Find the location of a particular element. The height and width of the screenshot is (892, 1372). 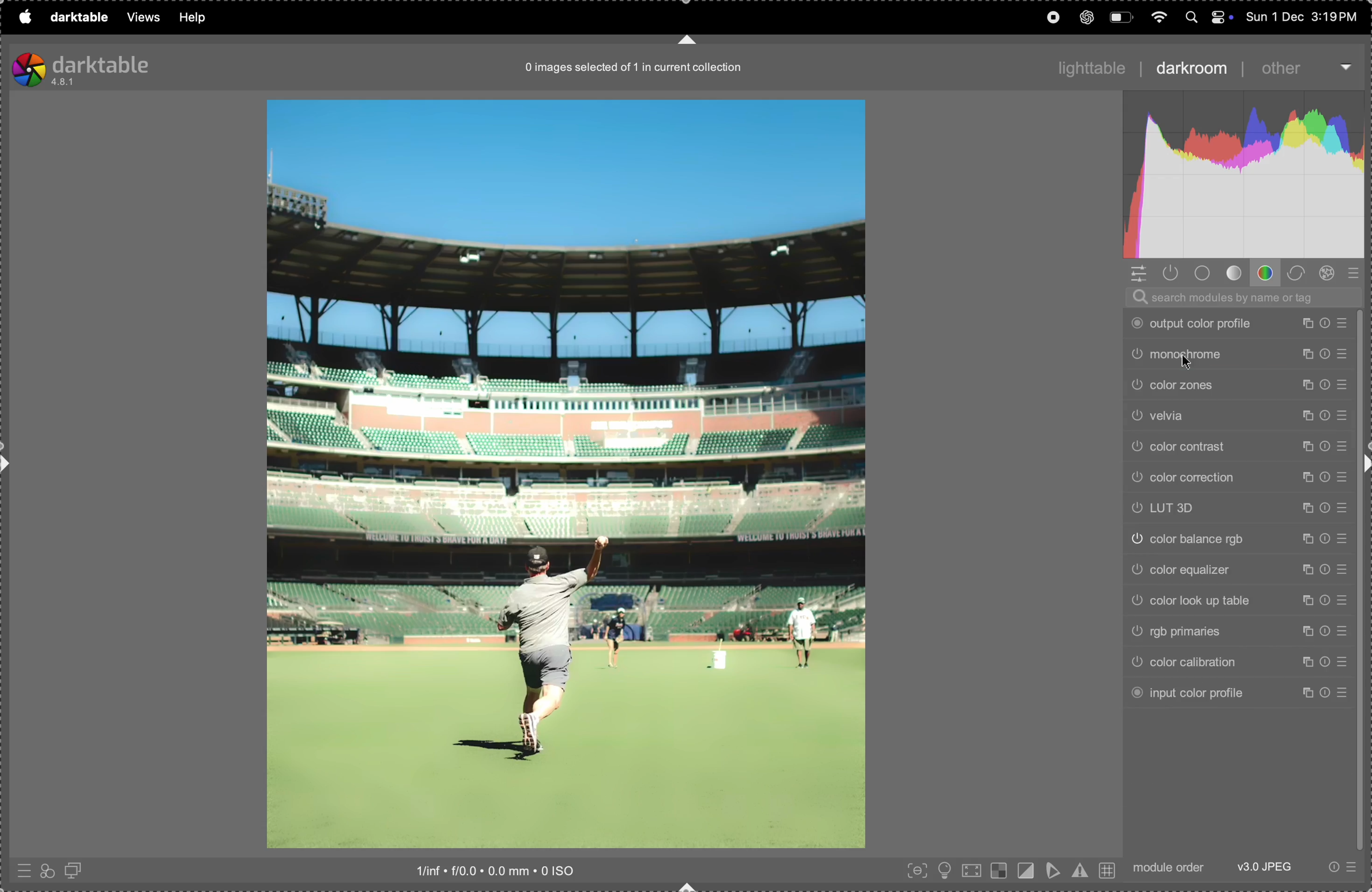

darkroom is located at coordinates (1190, 67).